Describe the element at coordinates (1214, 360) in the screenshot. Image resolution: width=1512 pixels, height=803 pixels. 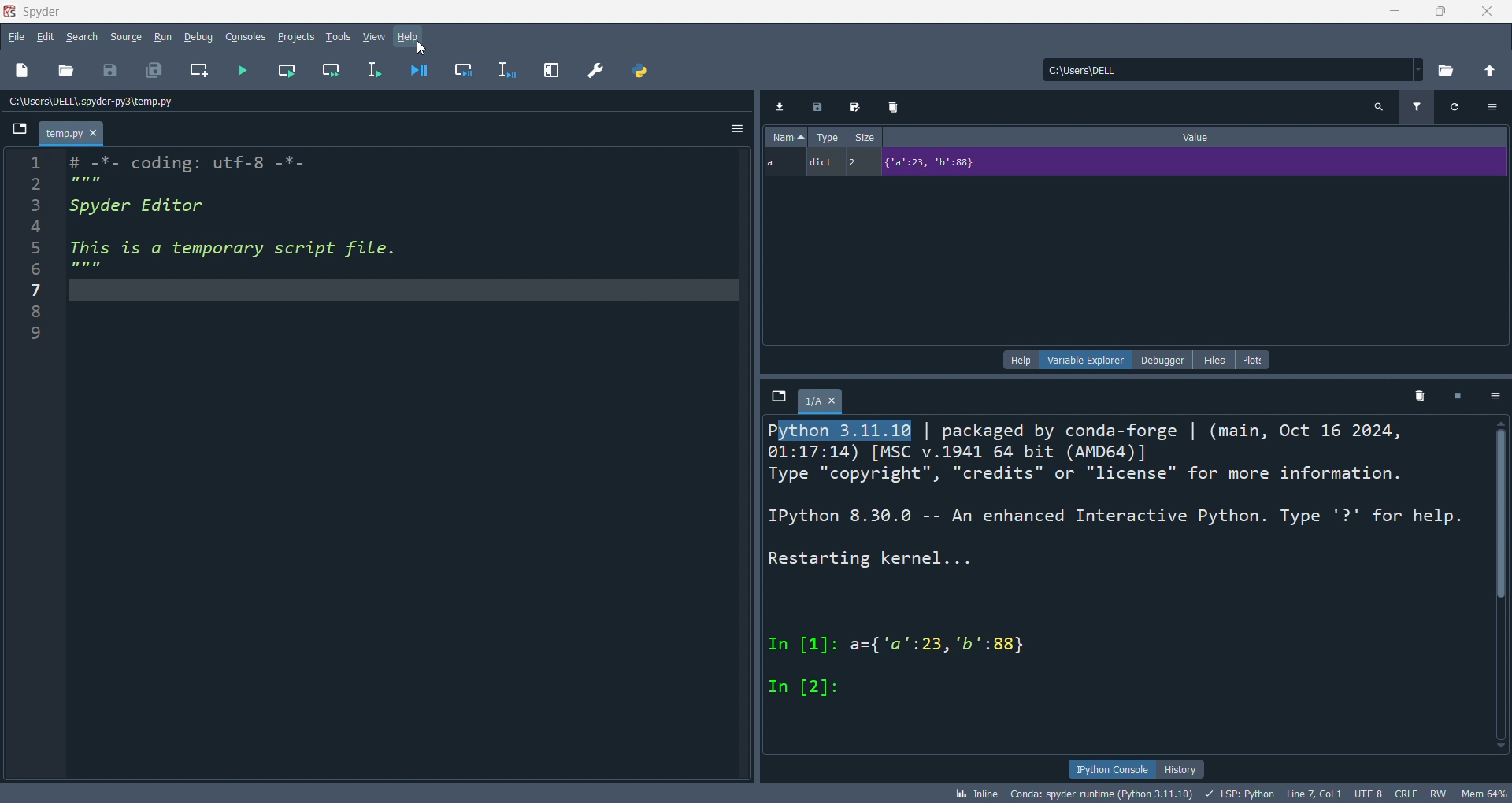
I see `files` at that location.